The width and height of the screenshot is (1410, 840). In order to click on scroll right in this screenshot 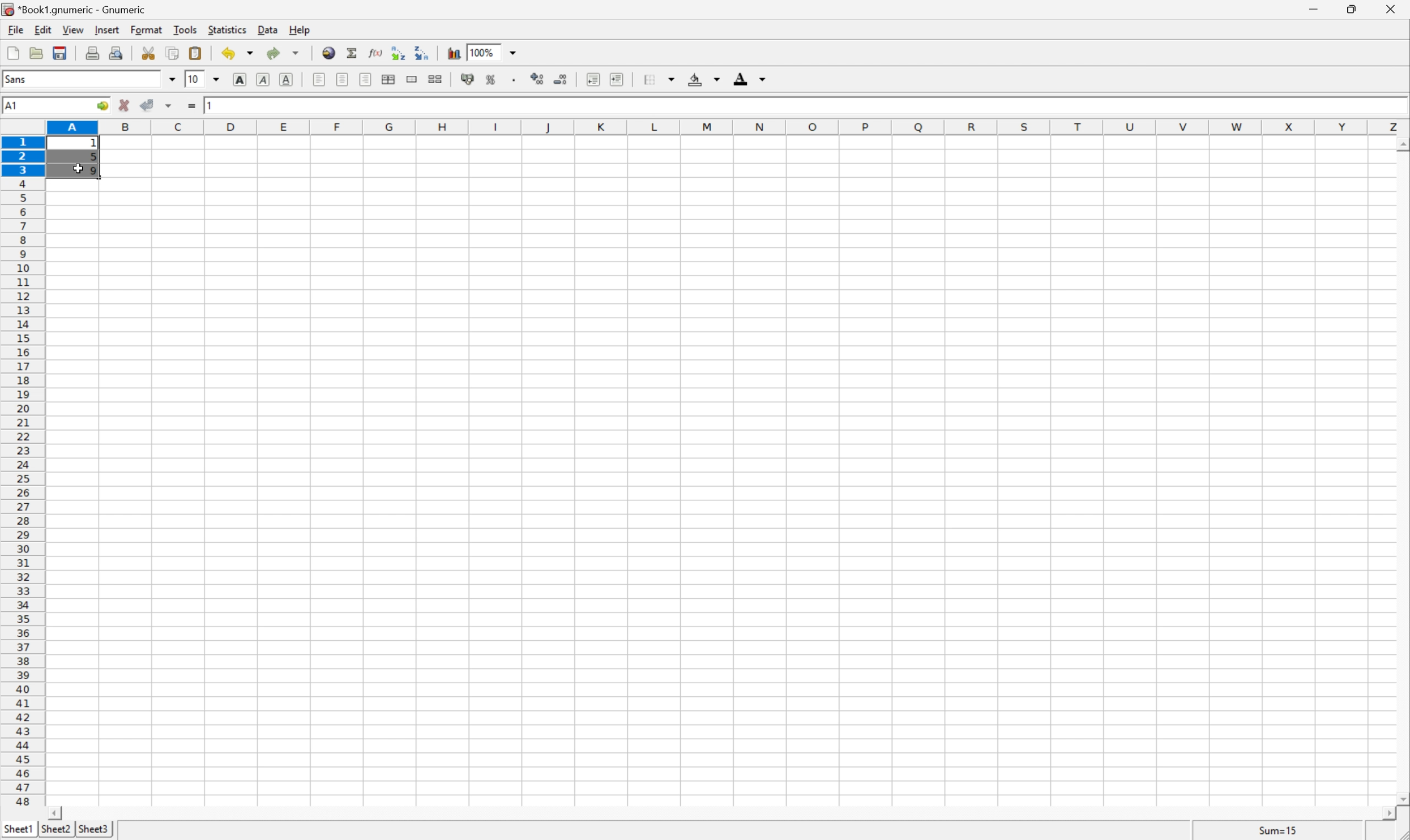, I will do `click(1388, 814)`.